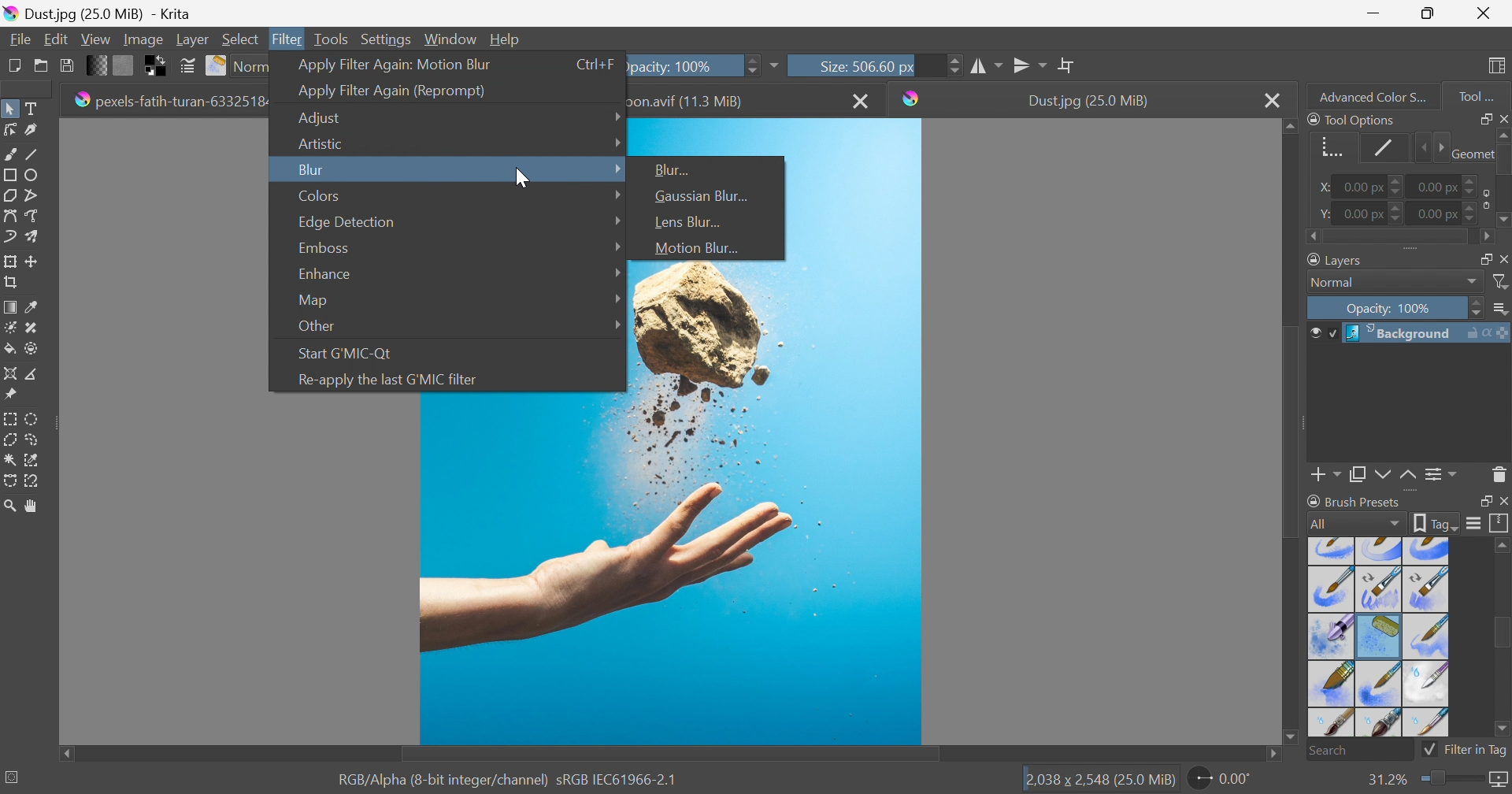 The image size is (1512, 794). Describe the element at coordinates (1320, 187) in the screenshot. I see `X:` at that location.